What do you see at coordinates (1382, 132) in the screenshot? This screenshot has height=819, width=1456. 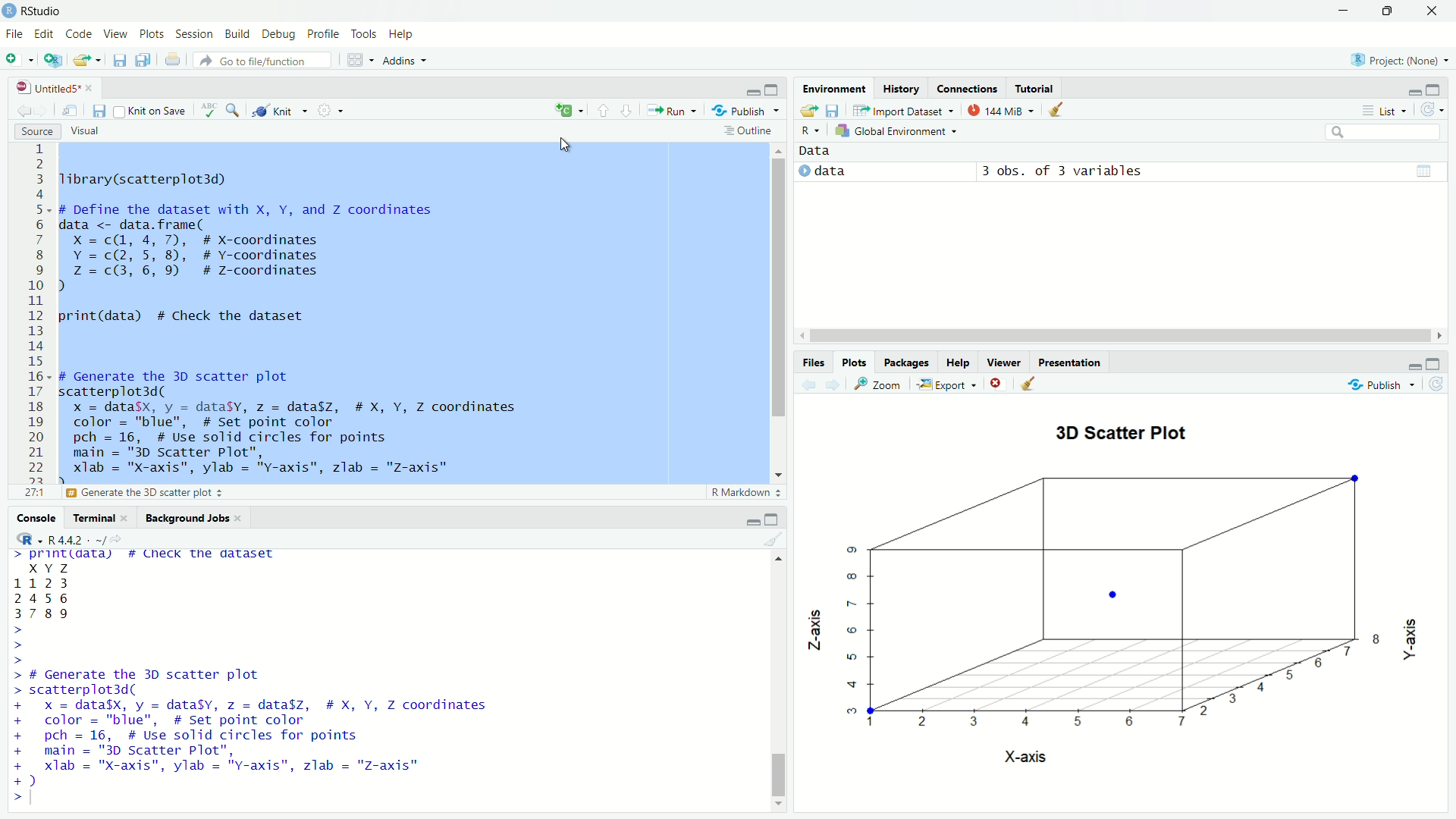 I see `search field` at bounding box center [1382, 132].